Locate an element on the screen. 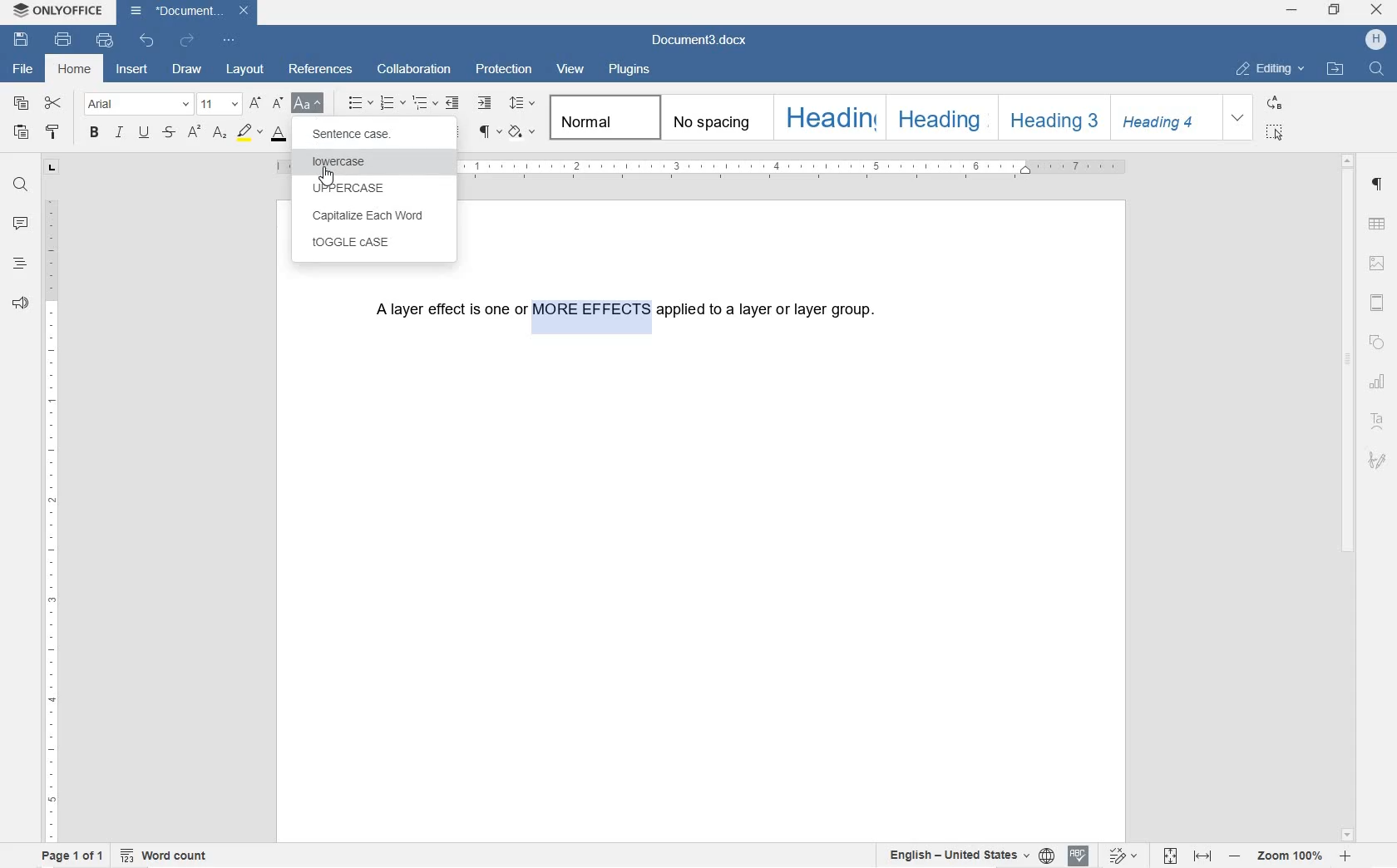 The width and height of the screenshot is (1397, 868). FILE is located at coordinates (25, 69).